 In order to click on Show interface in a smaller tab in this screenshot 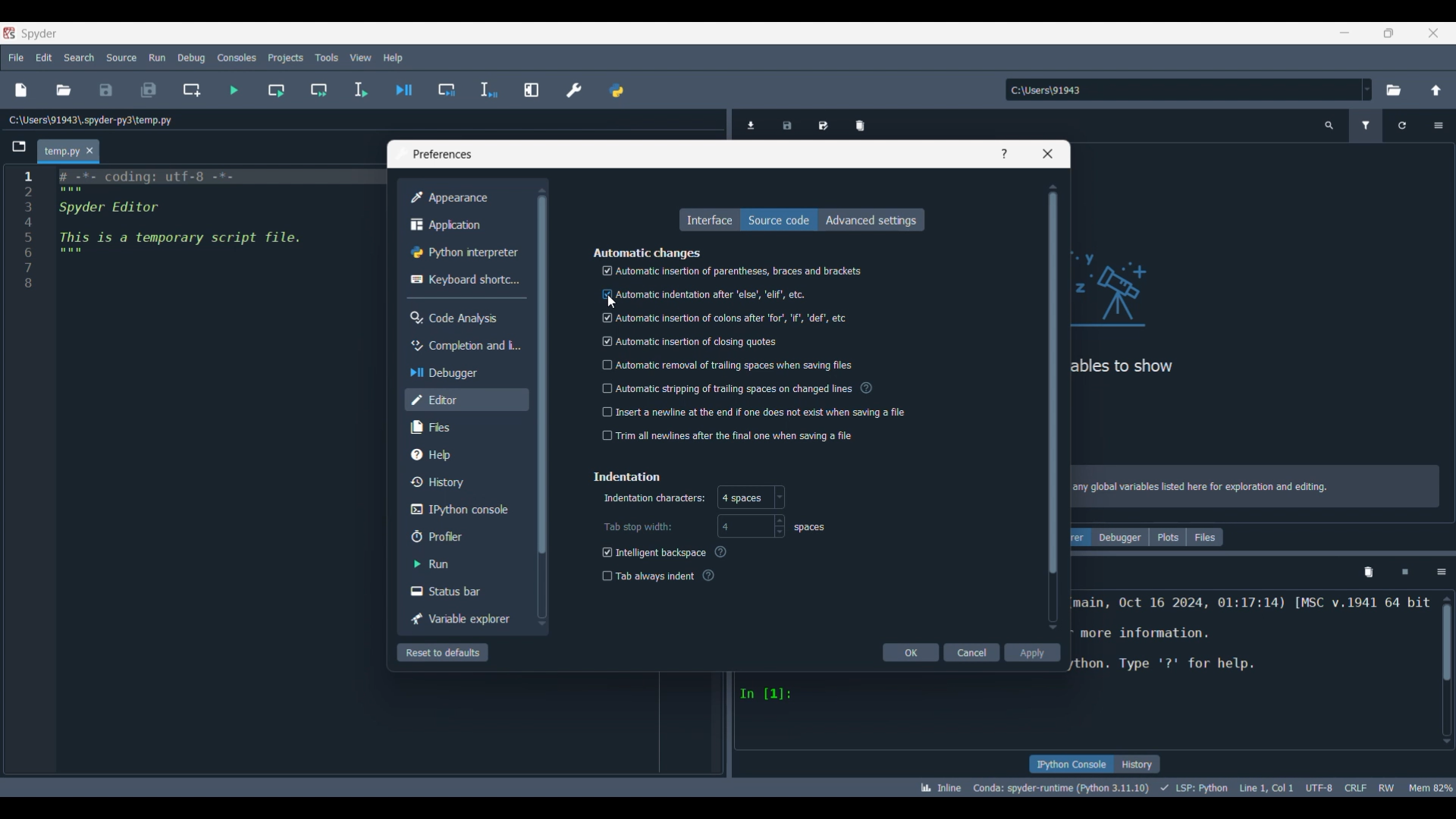, I will do `click(1389, 33)`.